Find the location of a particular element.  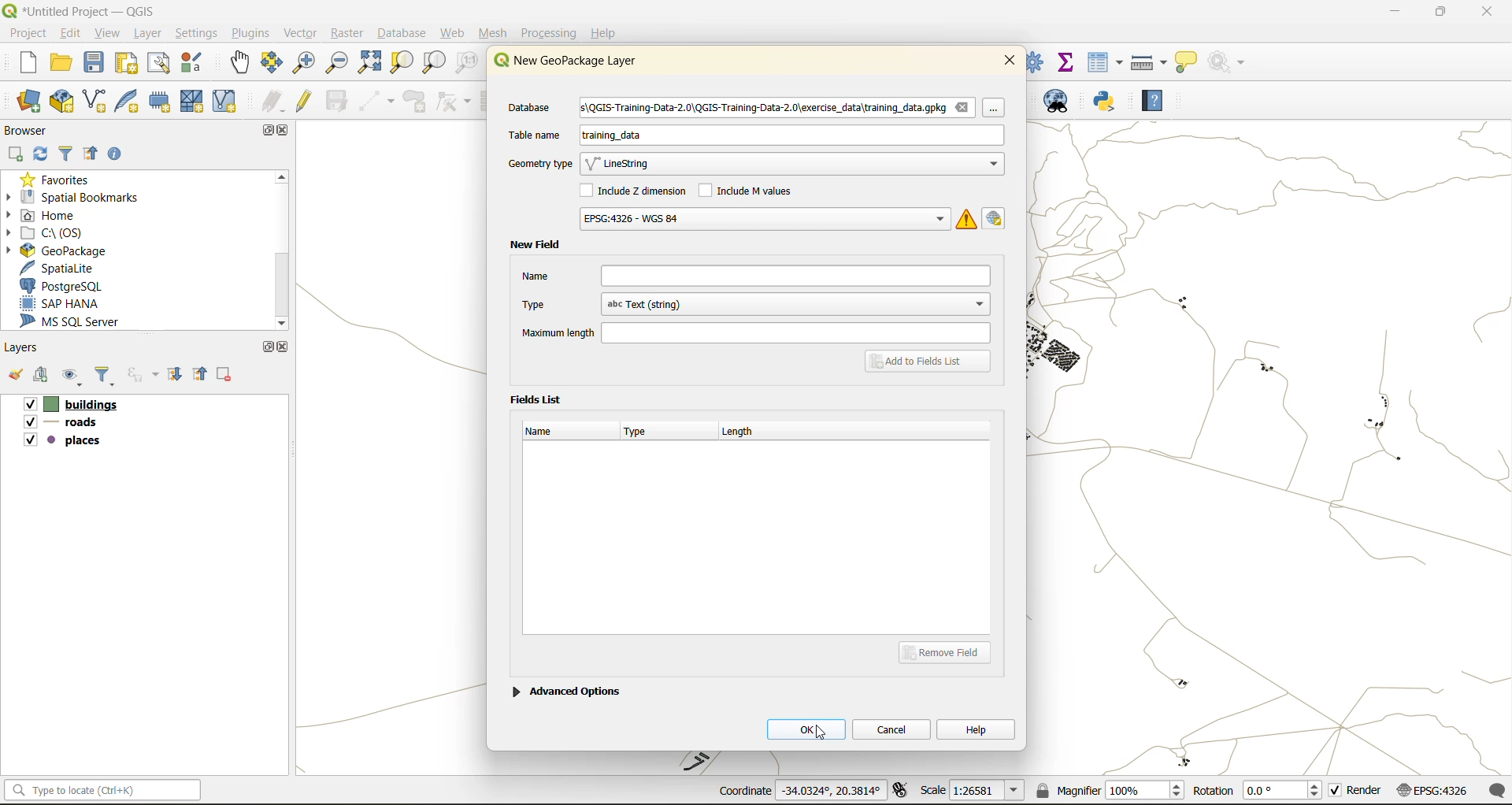

control panel is located at coordinates (1036, 61).